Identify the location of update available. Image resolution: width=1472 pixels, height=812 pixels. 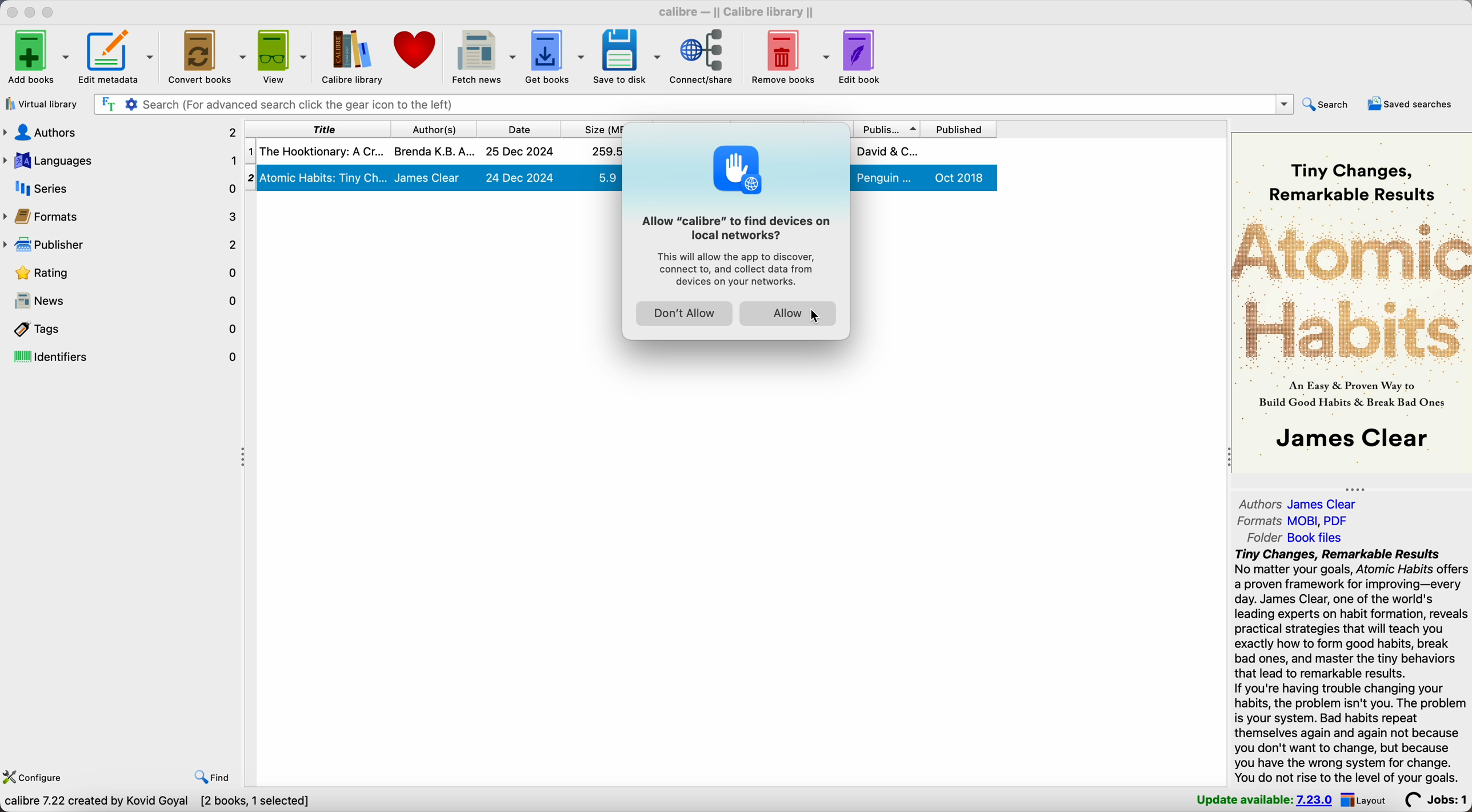
(1266, 798).